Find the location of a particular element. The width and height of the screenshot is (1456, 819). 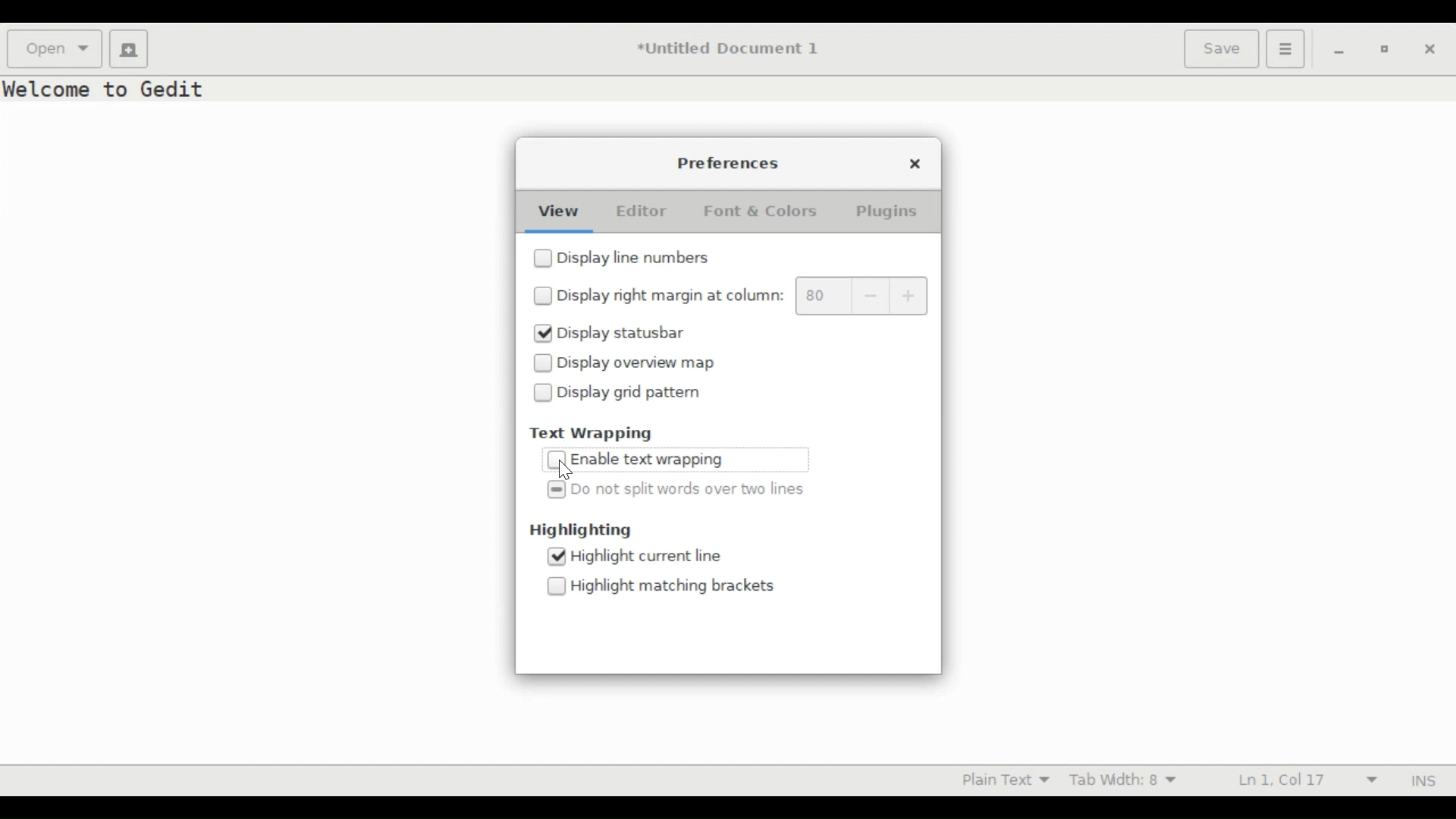

Preferences is located at coordinates (730, 164).